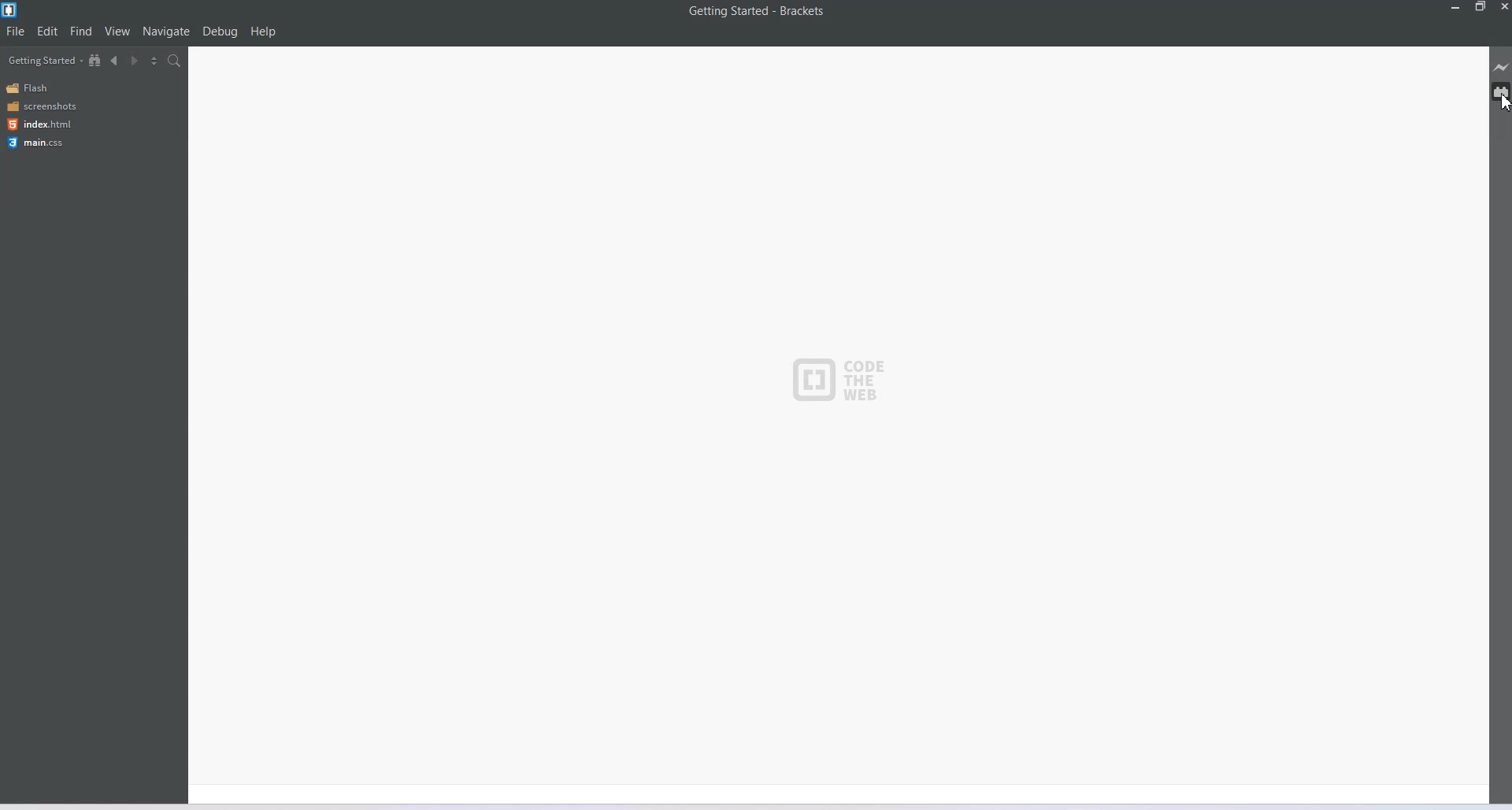 Image resolution: width=1512 pixels, height=810 pixels. What do you see at coordinates (15, 31) in the screenshot?
I see `File` at bounding box center [15, 31].